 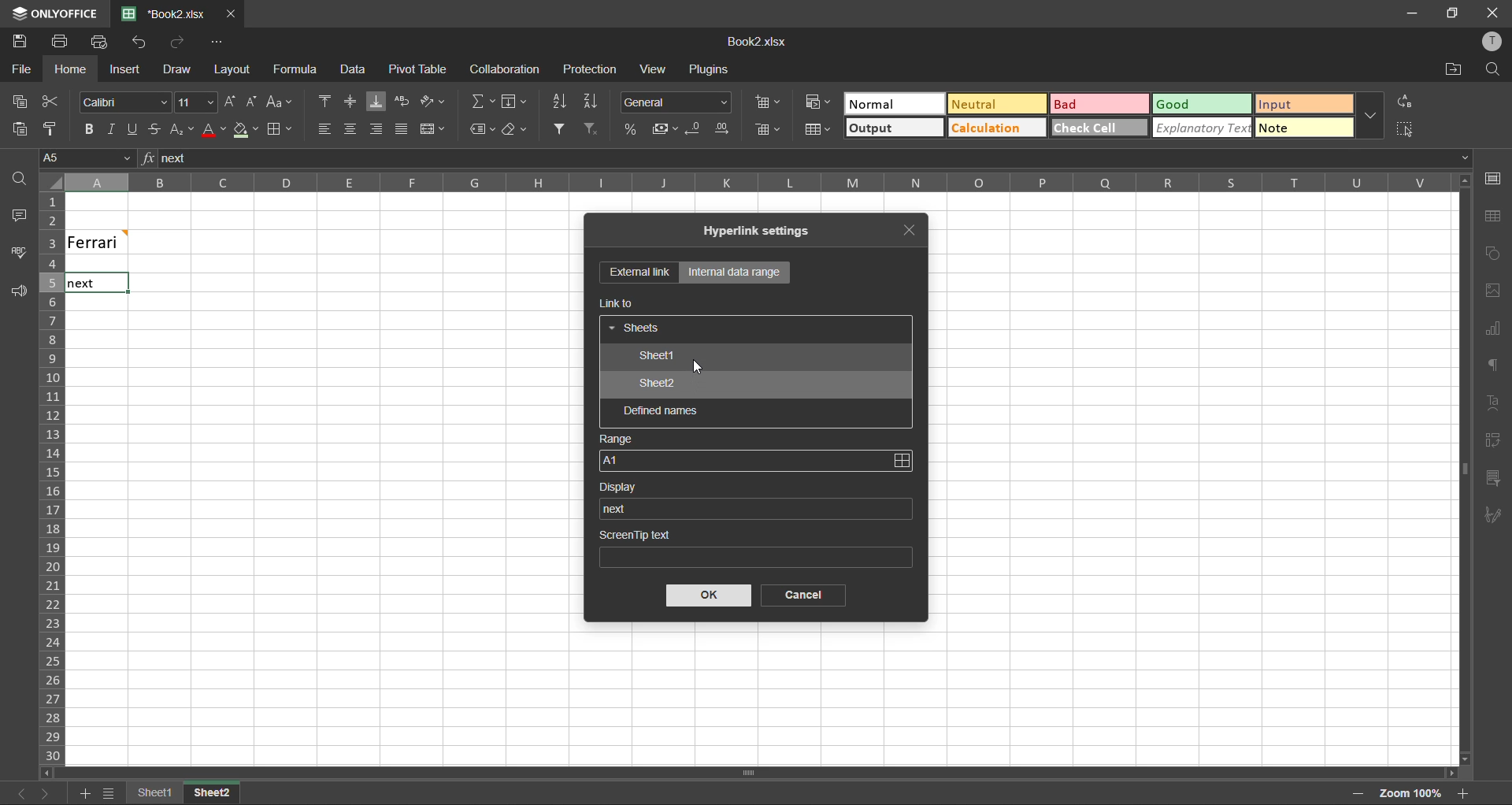 I want to click on collaboration, so click(x=506, y=69).